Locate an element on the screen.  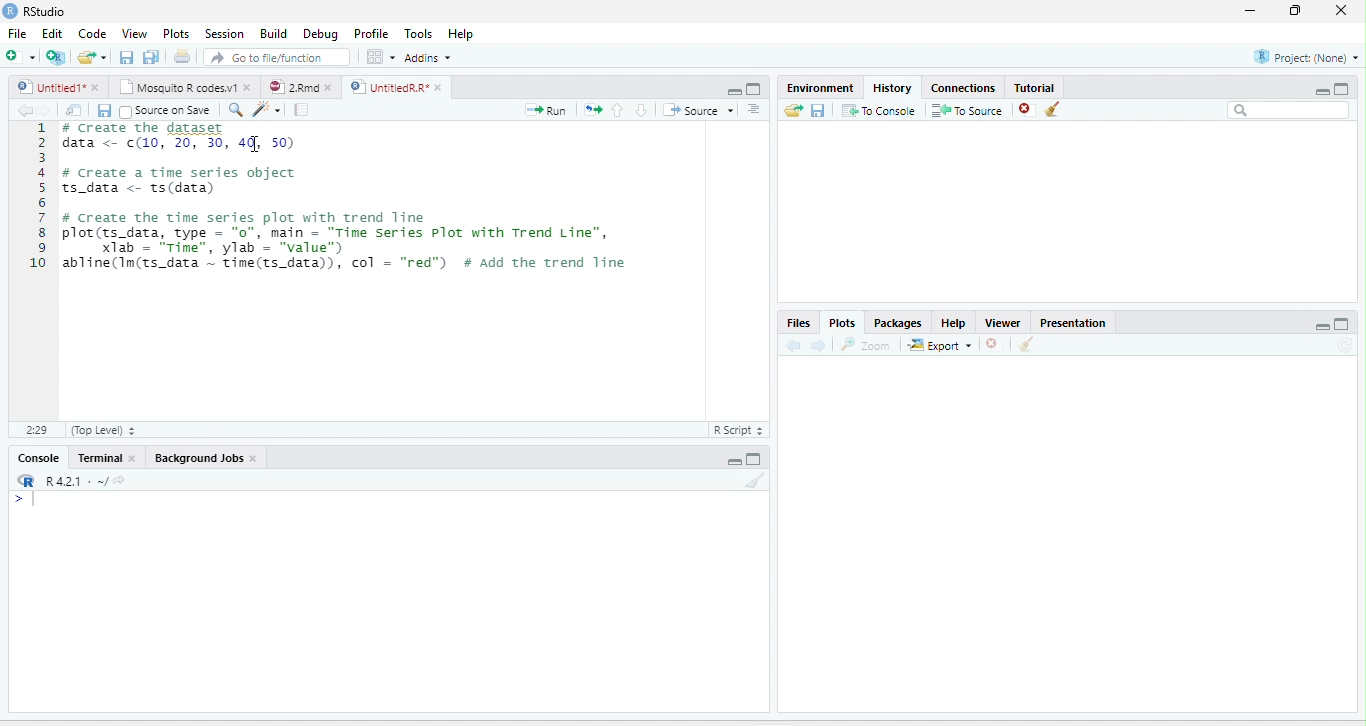
close is located at coordinates (1341, 11).